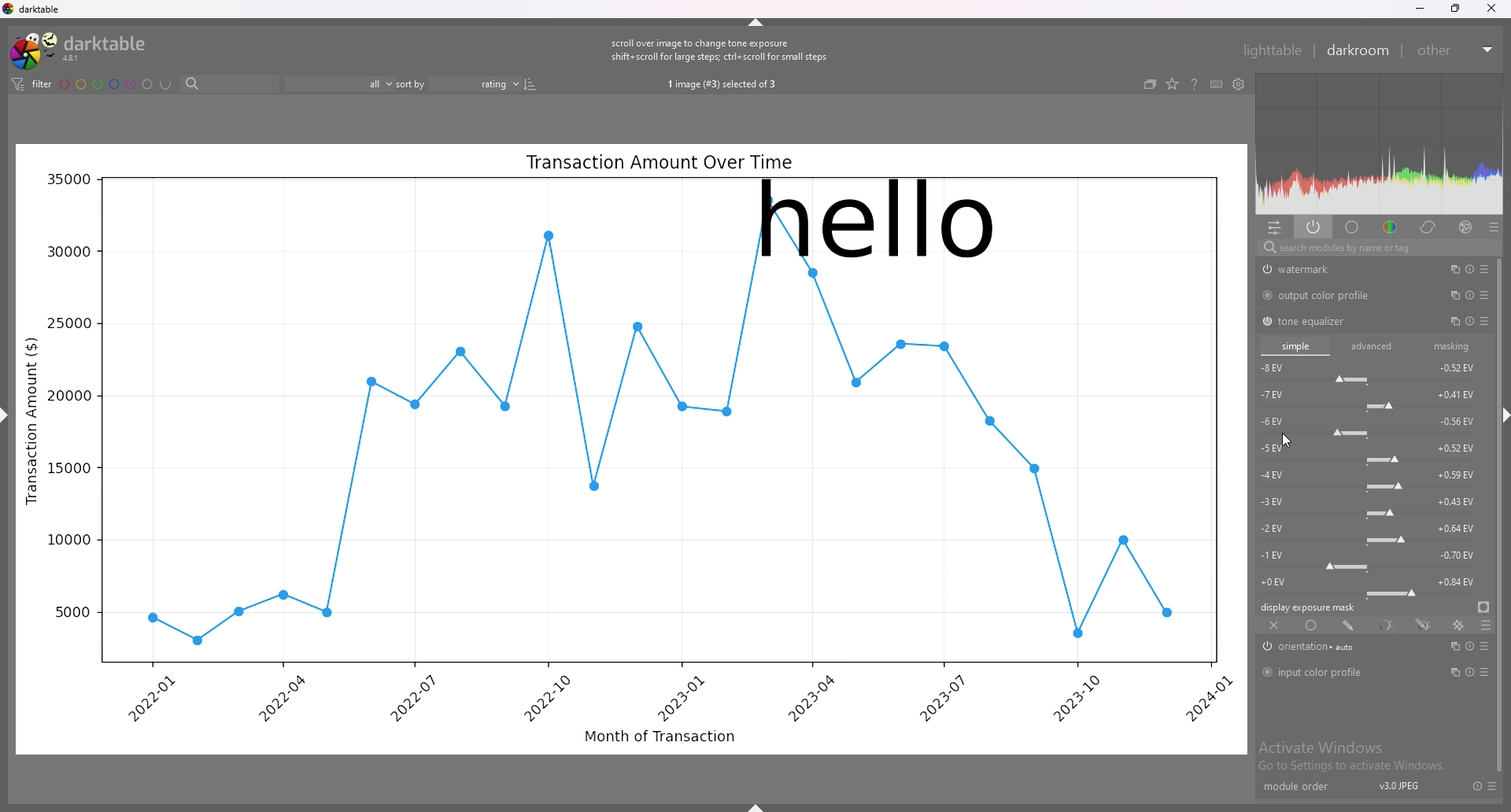  What do you see at coordinates (1267, 672) in the screenshot?
I see `switch off/on` at bounding box center [1267, 672].